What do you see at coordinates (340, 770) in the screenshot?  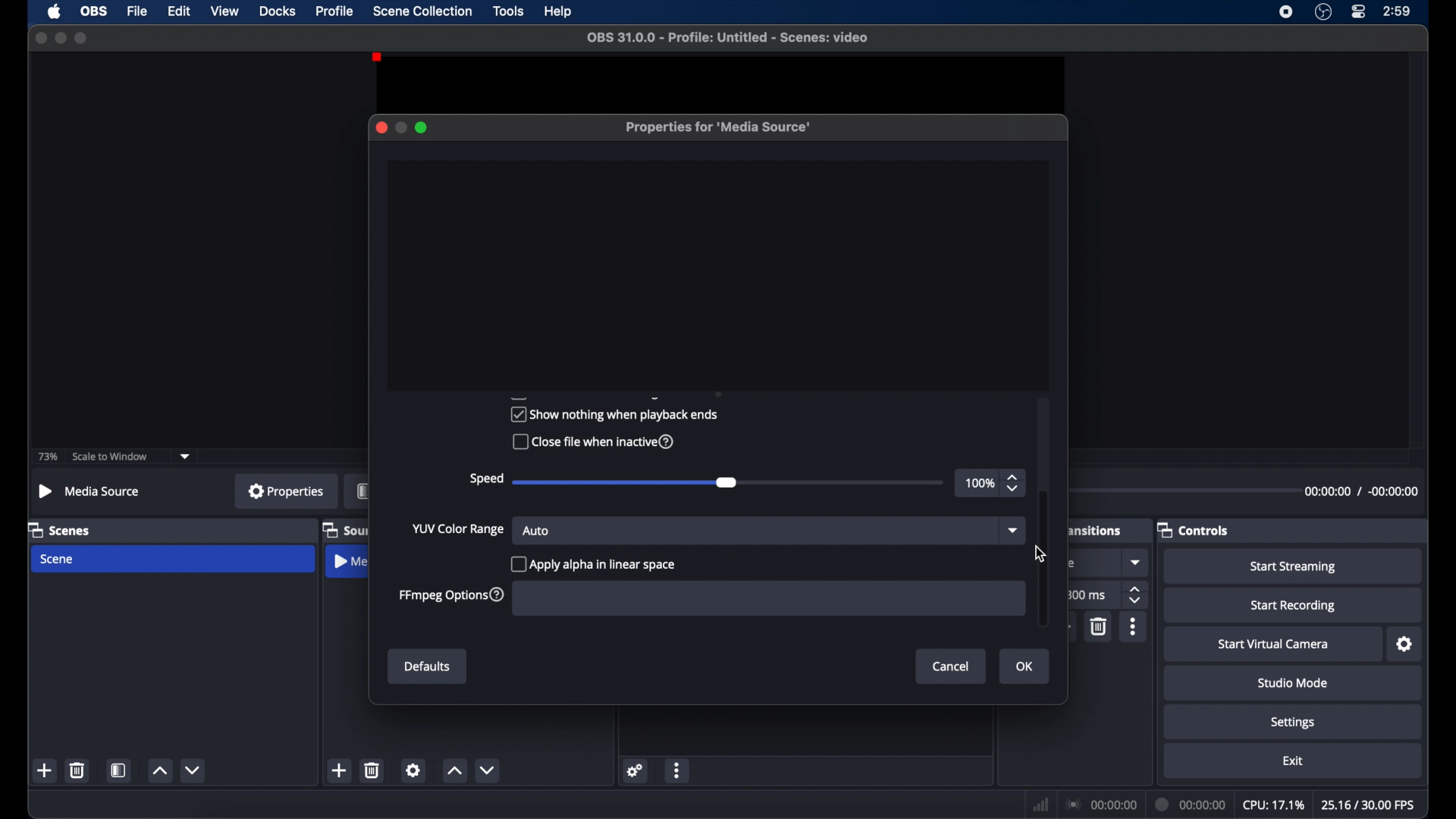 I see `add` at bounding box center [340, 770].